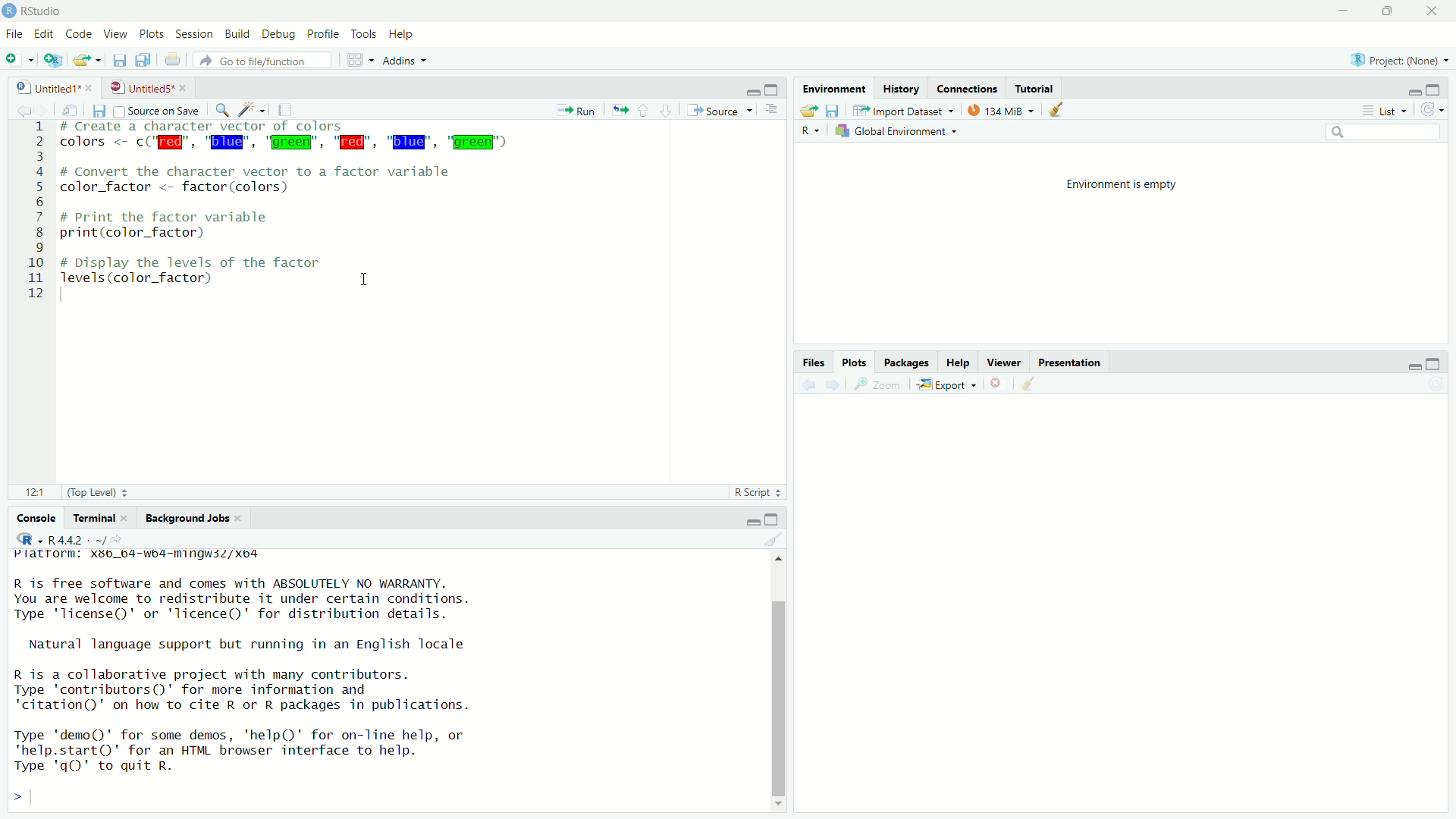 The width and height of the screenshot is (1456, 819). Describe the element at coordinates (140, 86) in the screenshot. I see `untitled5` at that location.